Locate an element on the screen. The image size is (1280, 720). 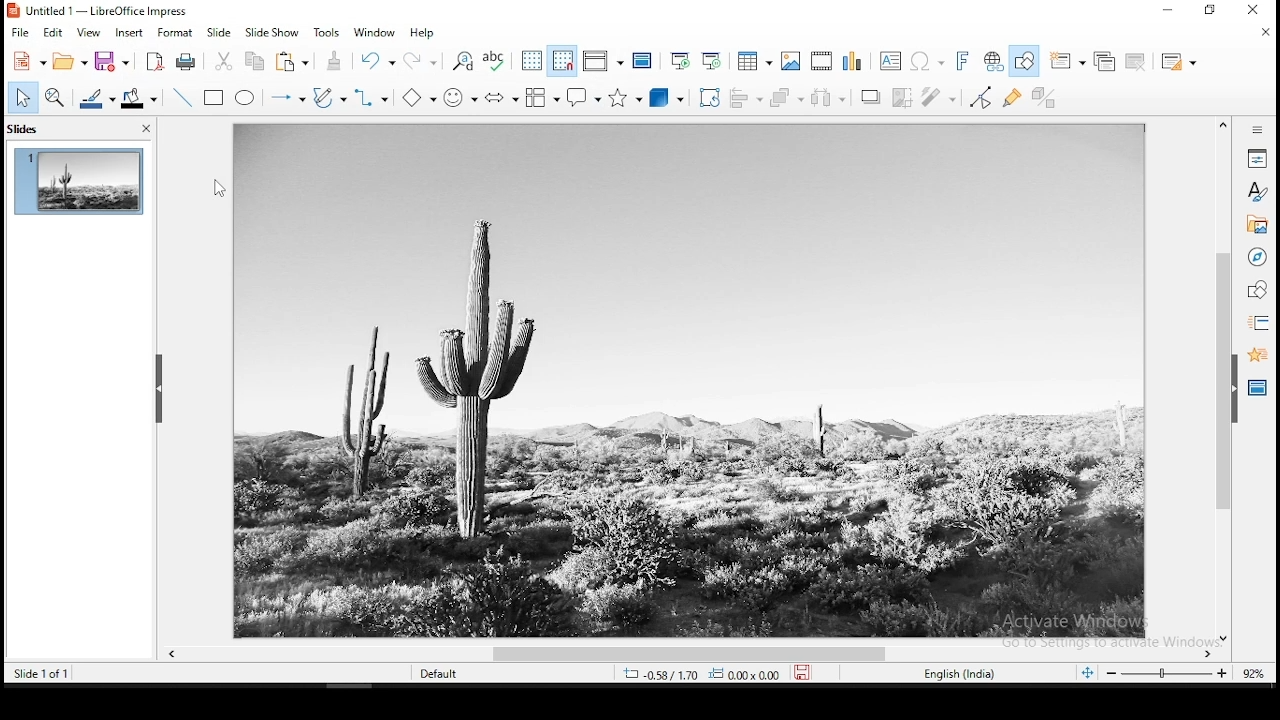
zoom is located at coordinates (1167, 674).